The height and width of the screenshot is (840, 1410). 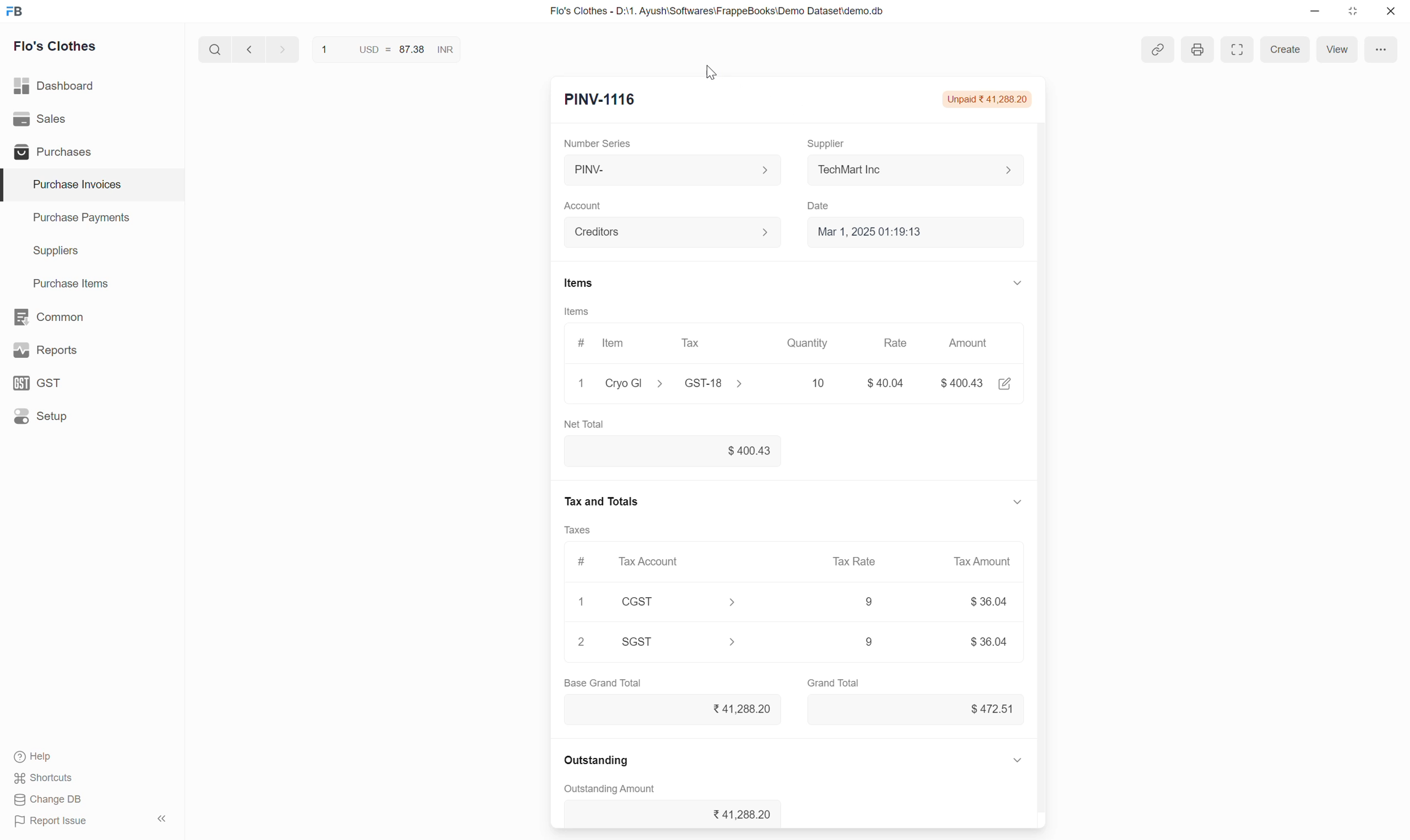 I want to click on Tax Account, so click(x=653, y=560).